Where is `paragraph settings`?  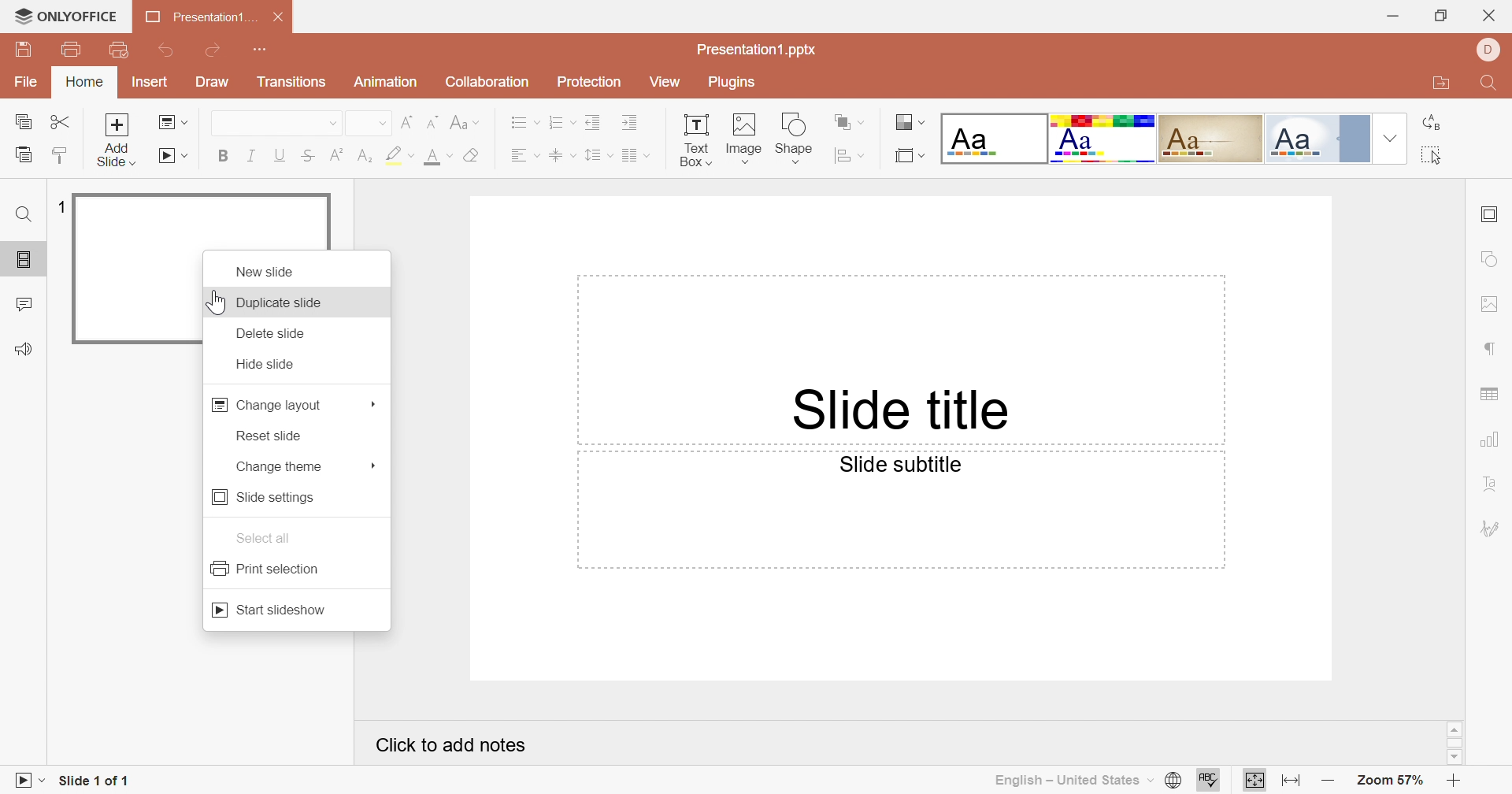 paragraph settings is located at coordinates (1490, 347).